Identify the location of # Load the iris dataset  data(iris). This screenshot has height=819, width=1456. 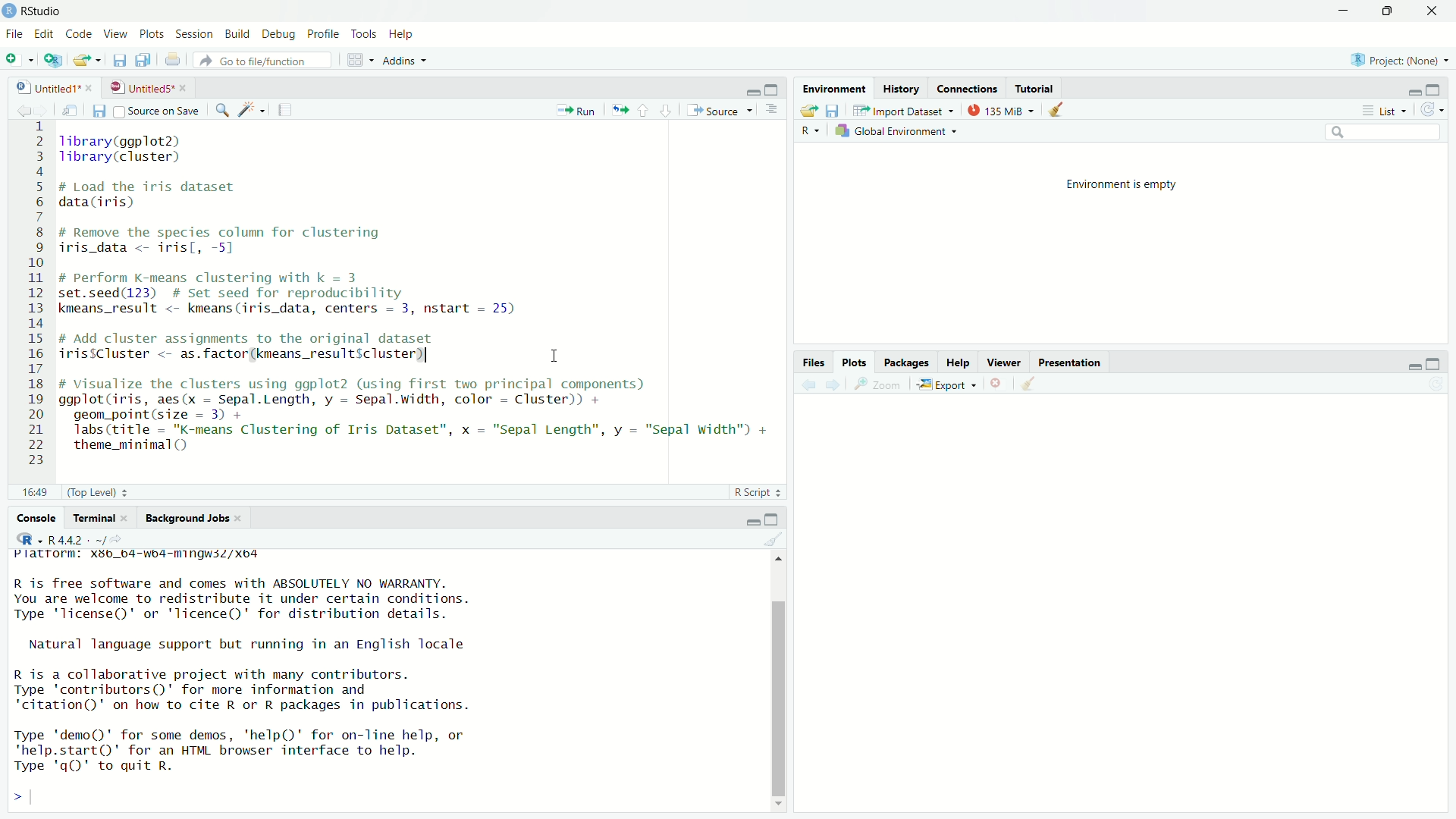
(165, 196).